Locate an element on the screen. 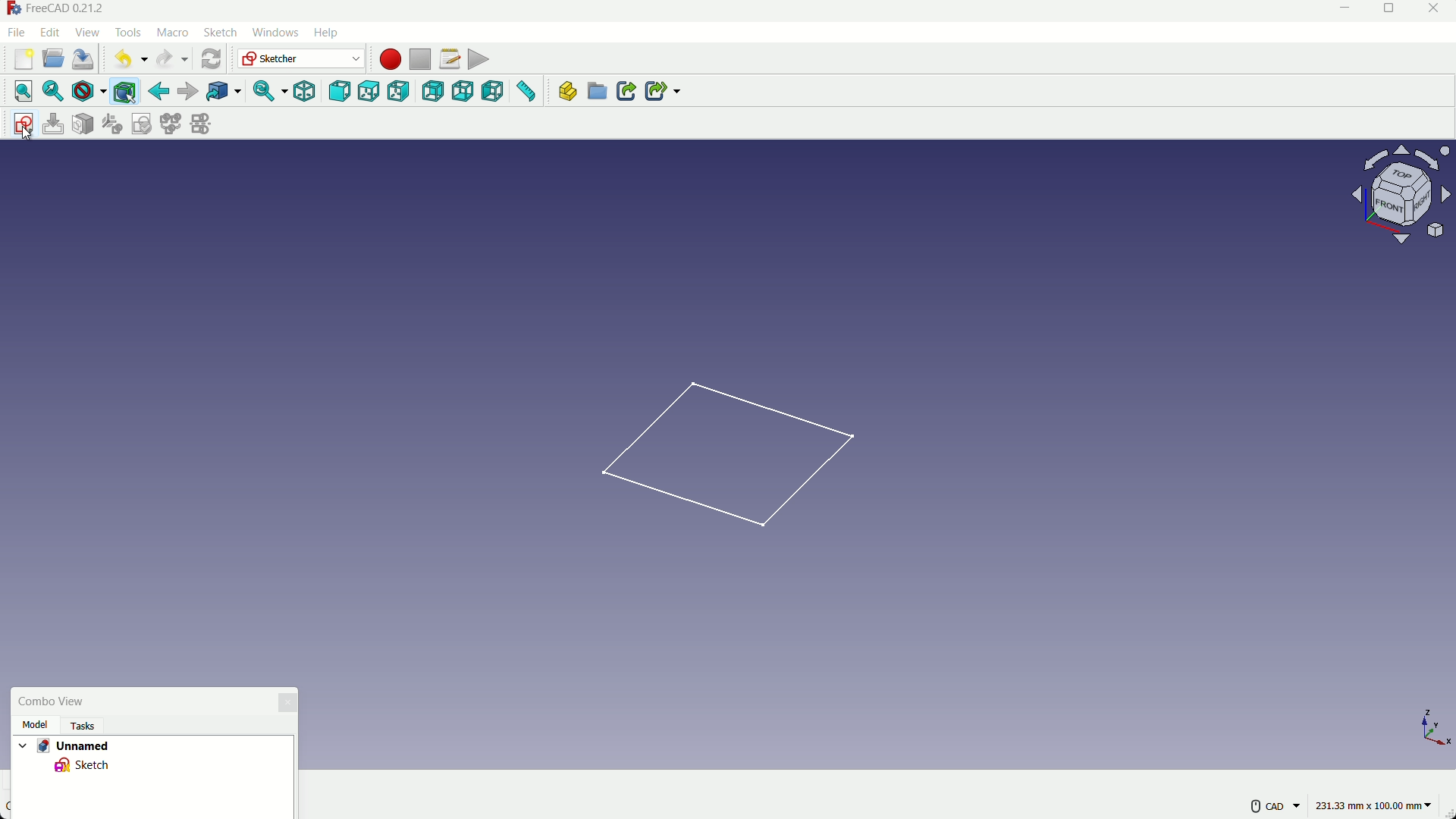 The width and height of the screenshot is (1456, 819). top view is located at coordinates (368, 93).